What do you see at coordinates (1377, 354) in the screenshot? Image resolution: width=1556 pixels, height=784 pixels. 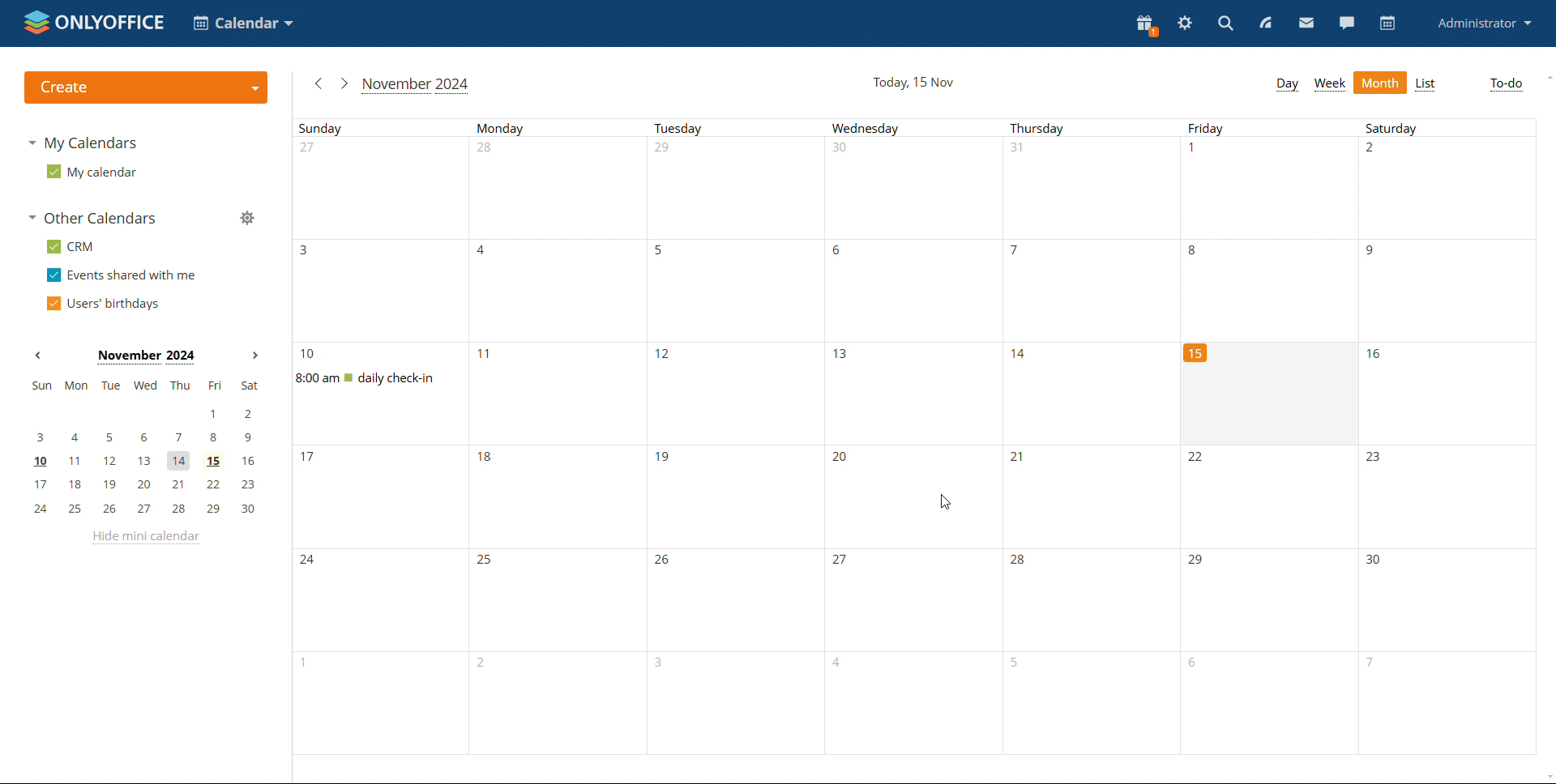 I see `Number` at bounding box center [1377, 354].